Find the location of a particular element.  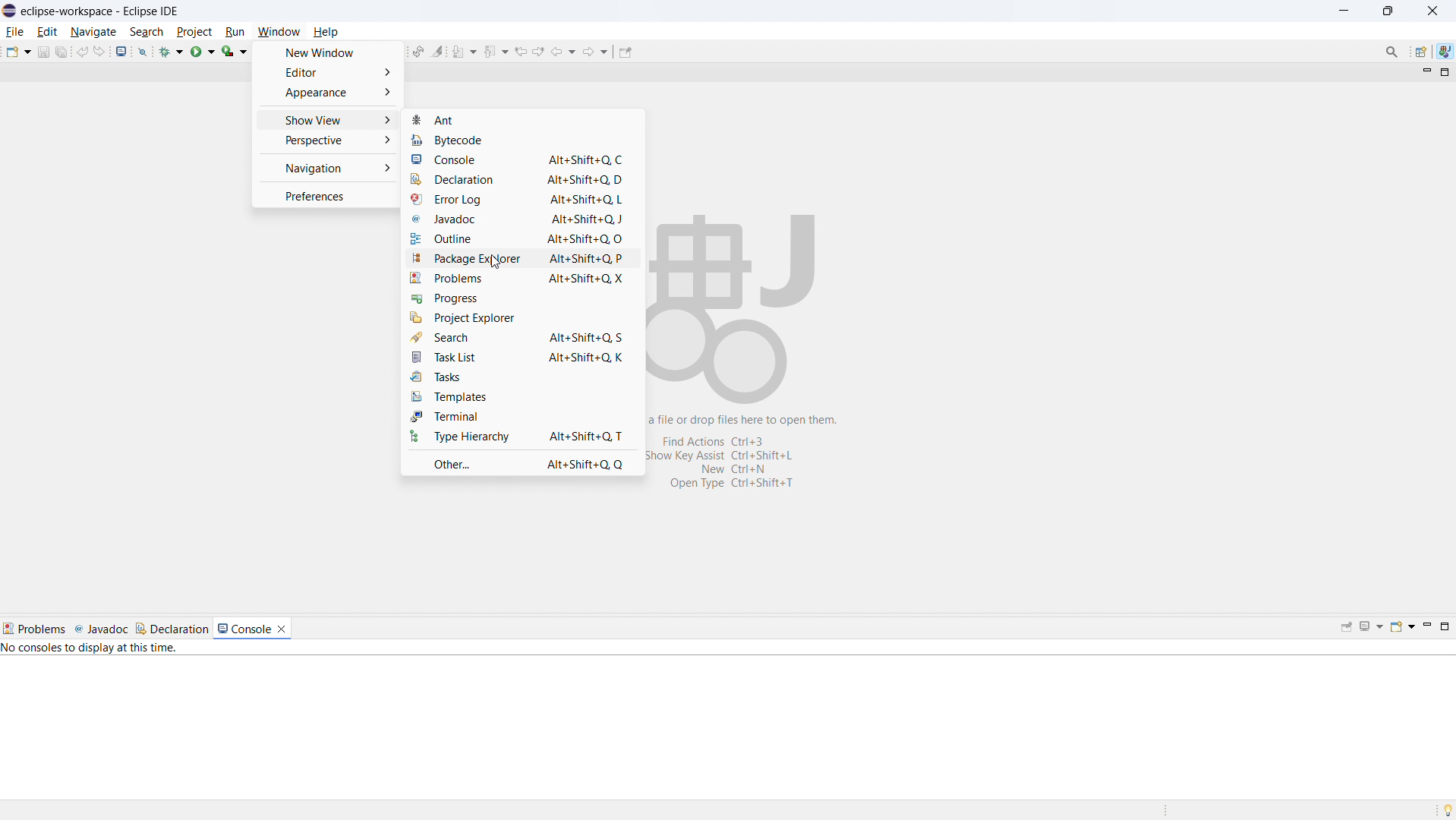

debug is located at coordinates (172, 51).